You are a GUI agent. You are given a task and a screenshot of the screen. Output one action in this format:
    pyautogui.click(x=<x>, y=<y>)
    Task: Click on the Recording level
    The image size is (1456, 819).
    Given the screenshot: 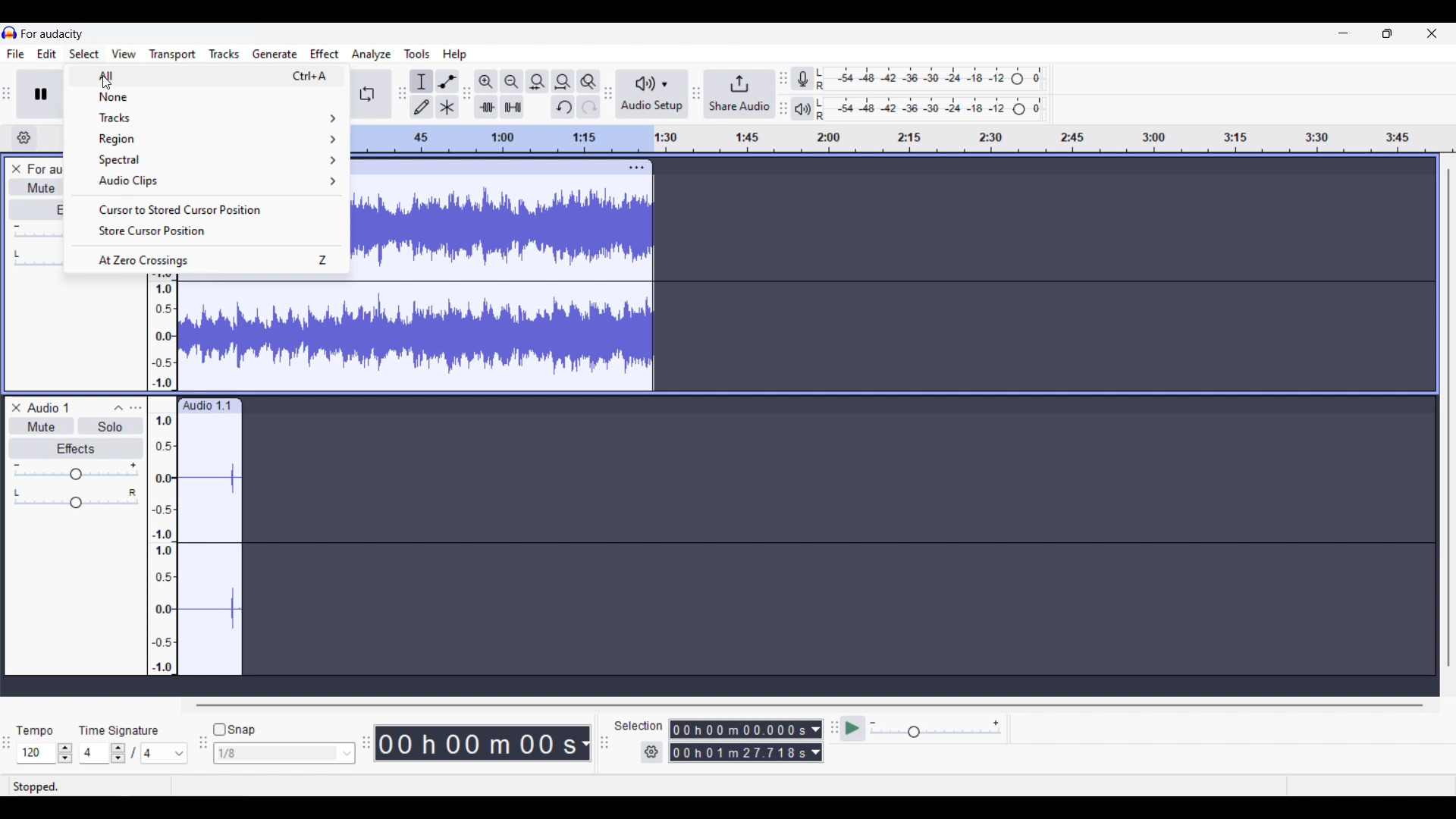 What is the action you would take?
    pyautogui.click(x=931, y=79)
    